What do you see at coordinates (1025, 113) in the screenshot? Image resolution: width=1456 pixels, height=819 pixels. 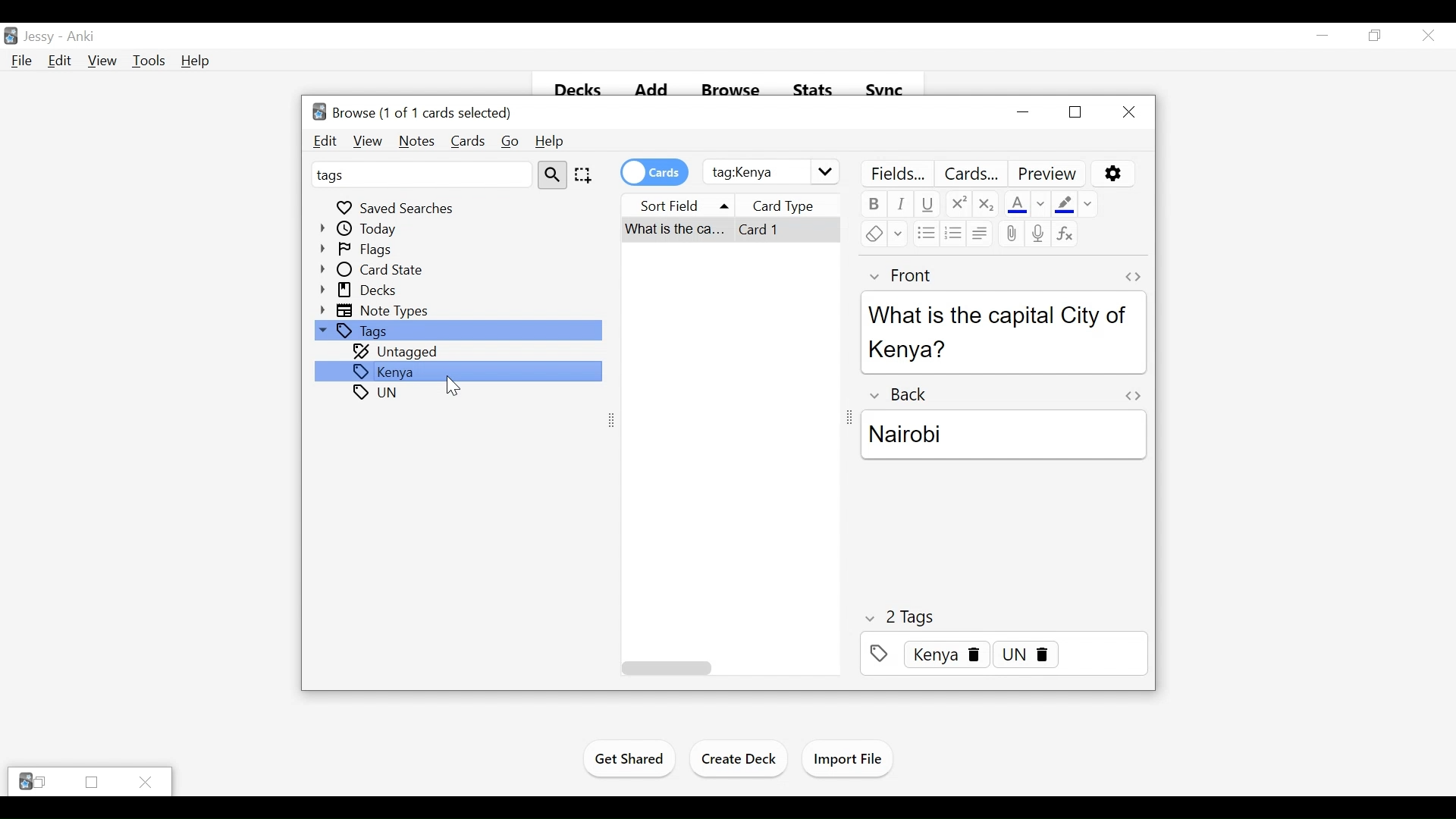 I see `minimize` at bounding box center [1025, 113].